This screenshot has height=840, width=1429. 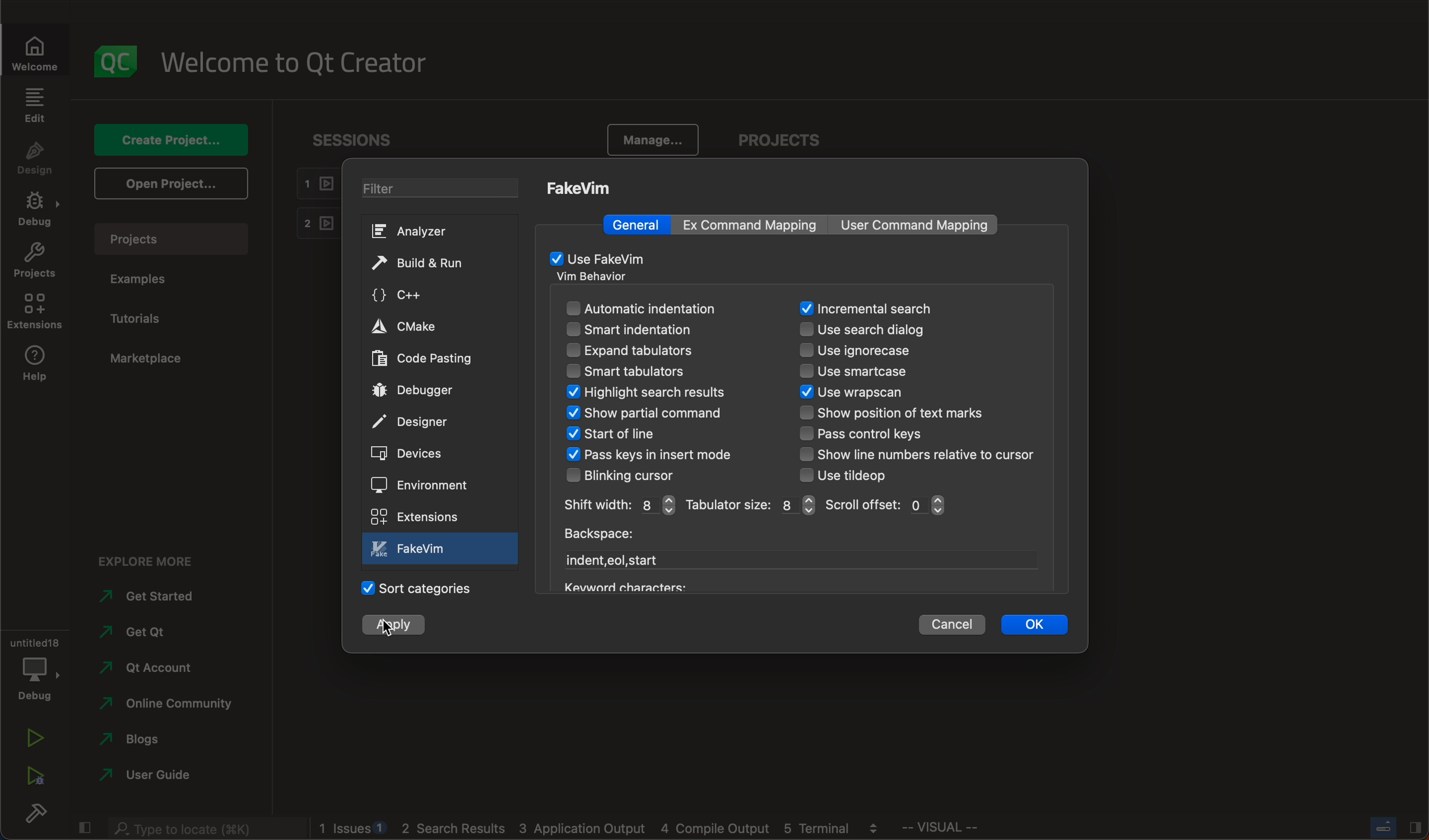 I want to click on close slide bar, so click(x=83, y=829).